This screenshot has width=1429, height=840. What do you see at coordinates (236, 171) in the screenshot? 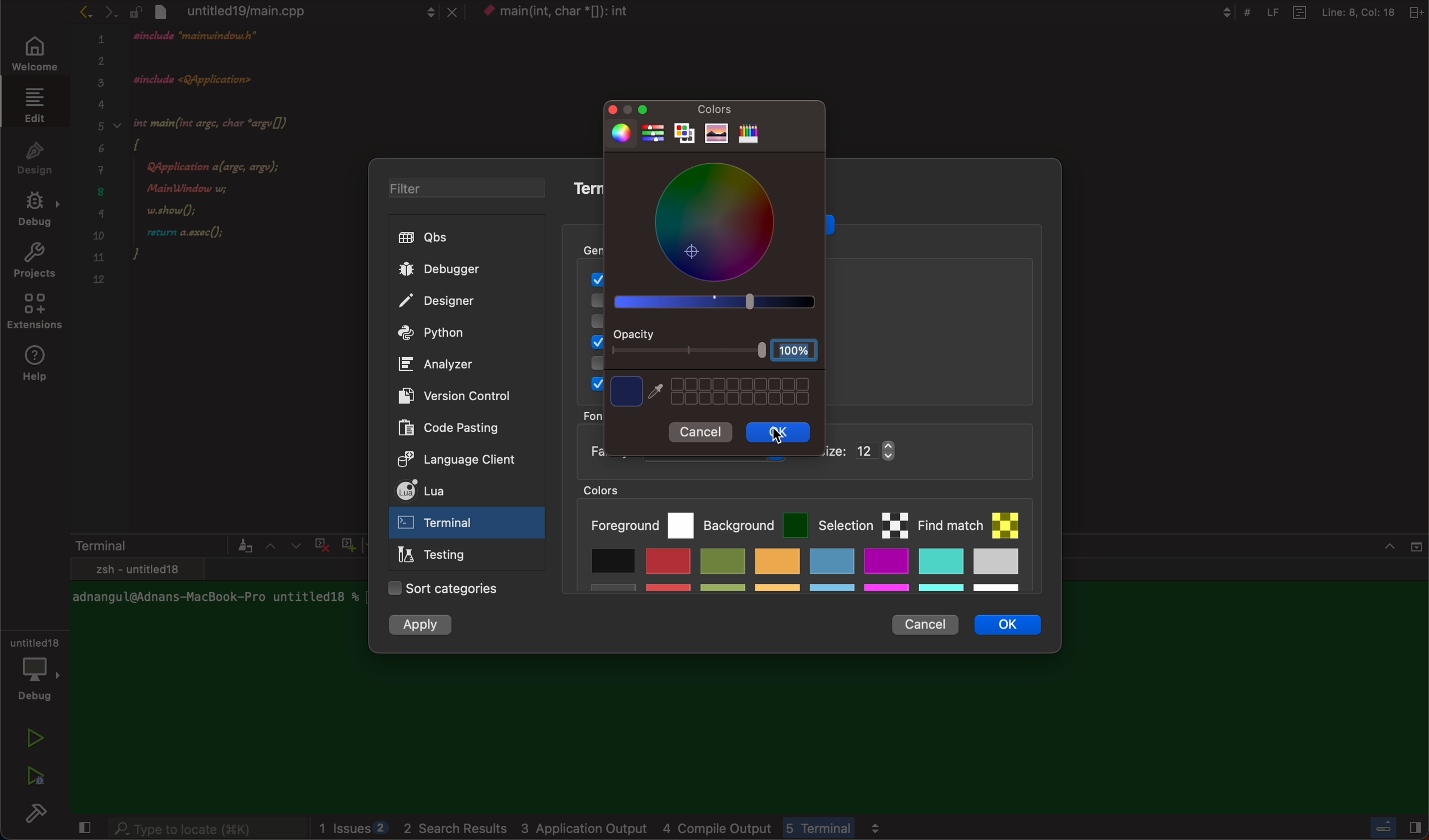
I see `code` at bounding box center [236, 171].